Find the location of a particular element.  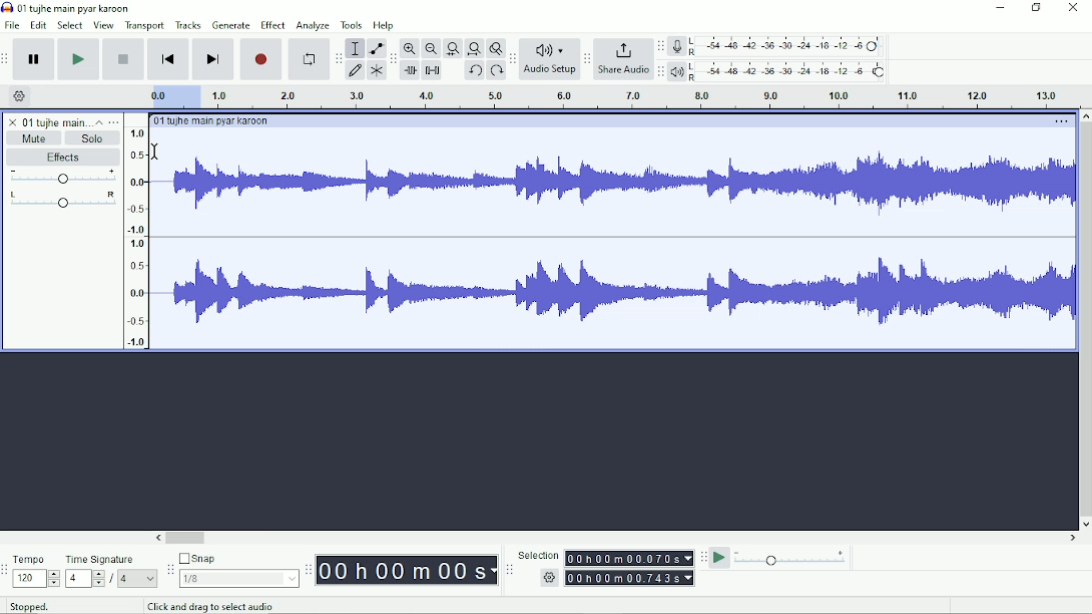

01 tujhe main pyar karoon is located at coordinates (78, 8).